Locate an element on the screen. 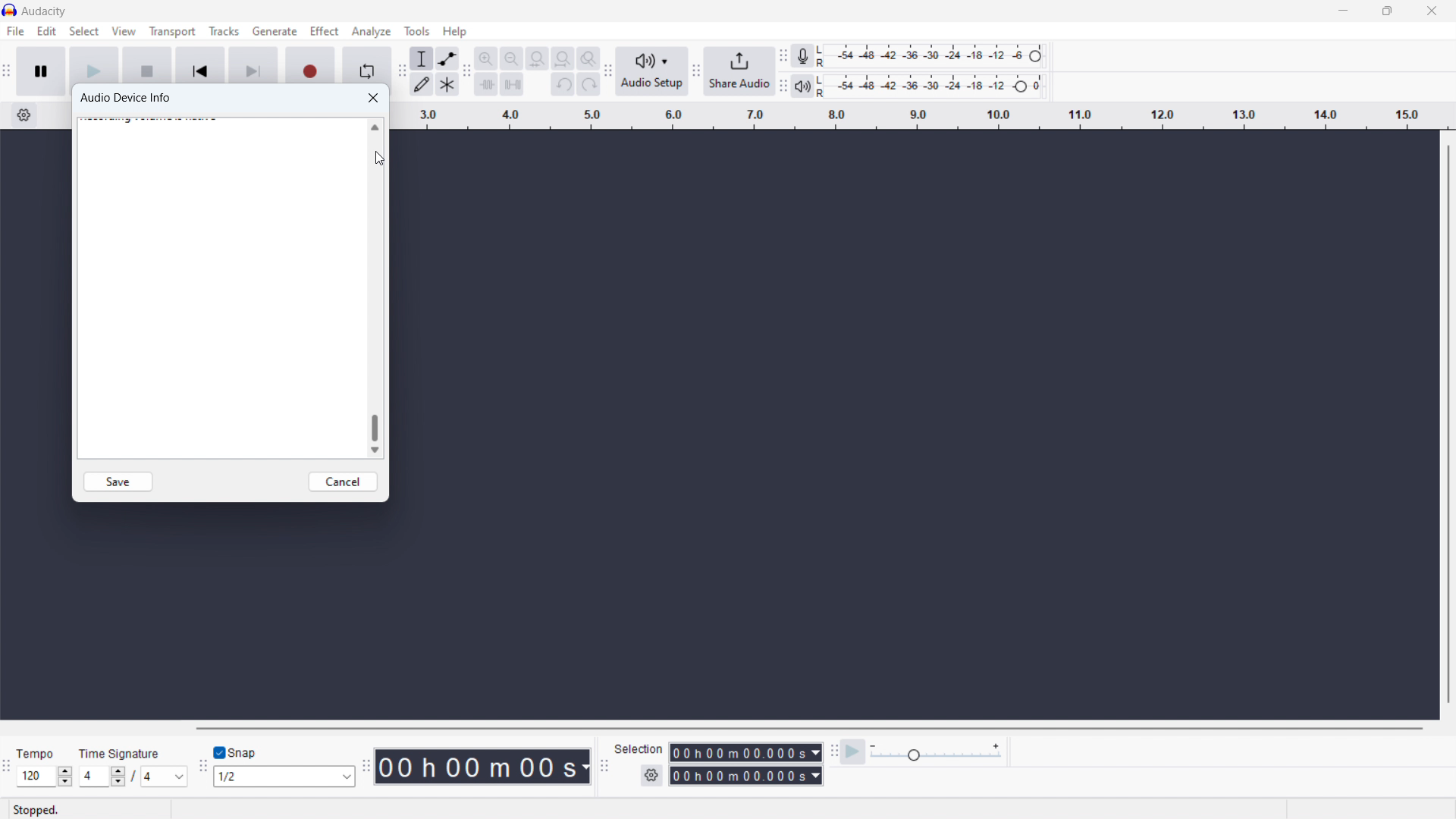 The image size is (1456, 819). envelop tool is located at coordinates (448, 59).